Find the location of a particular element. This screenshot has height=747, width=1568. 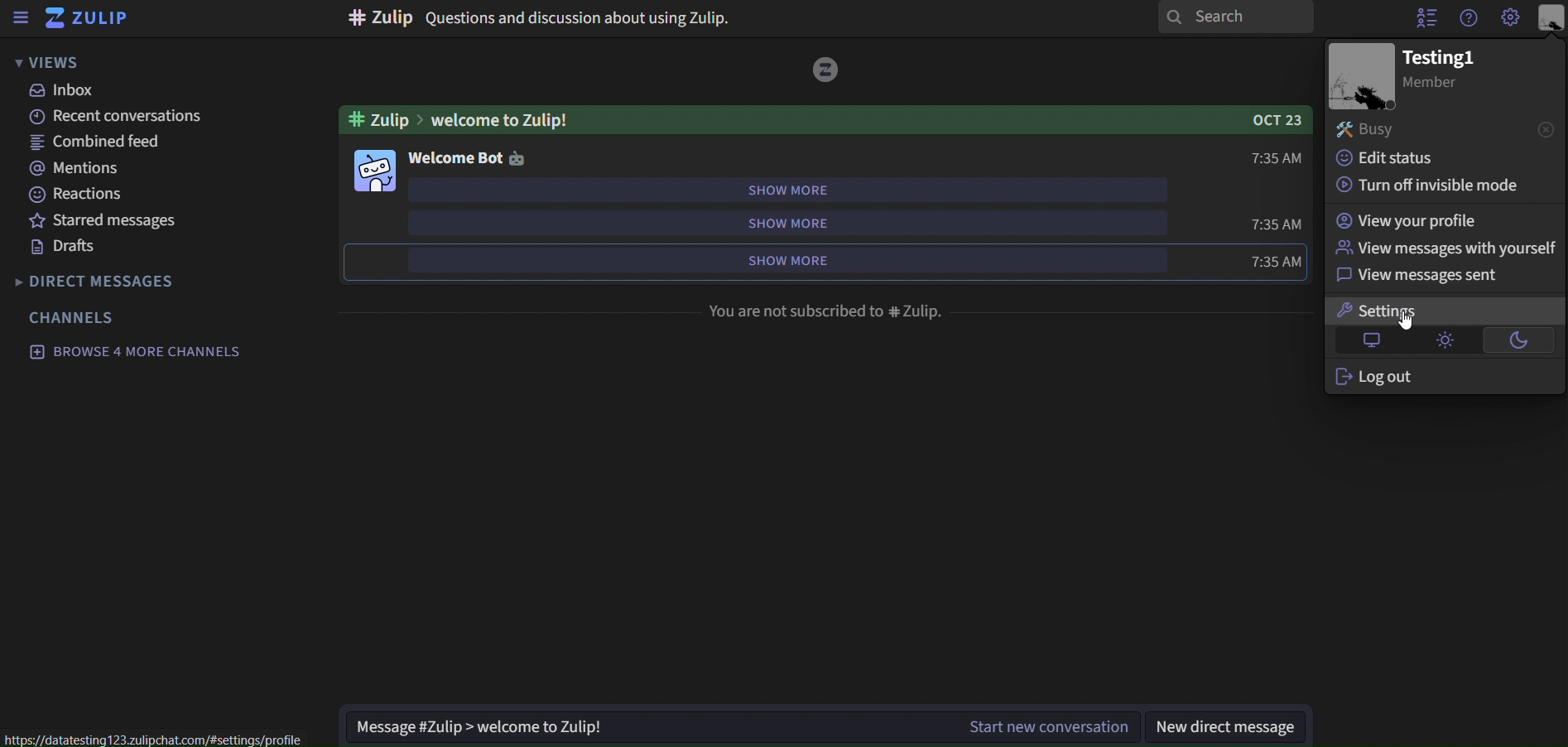

default theme is located at coordinates (1373, 338).